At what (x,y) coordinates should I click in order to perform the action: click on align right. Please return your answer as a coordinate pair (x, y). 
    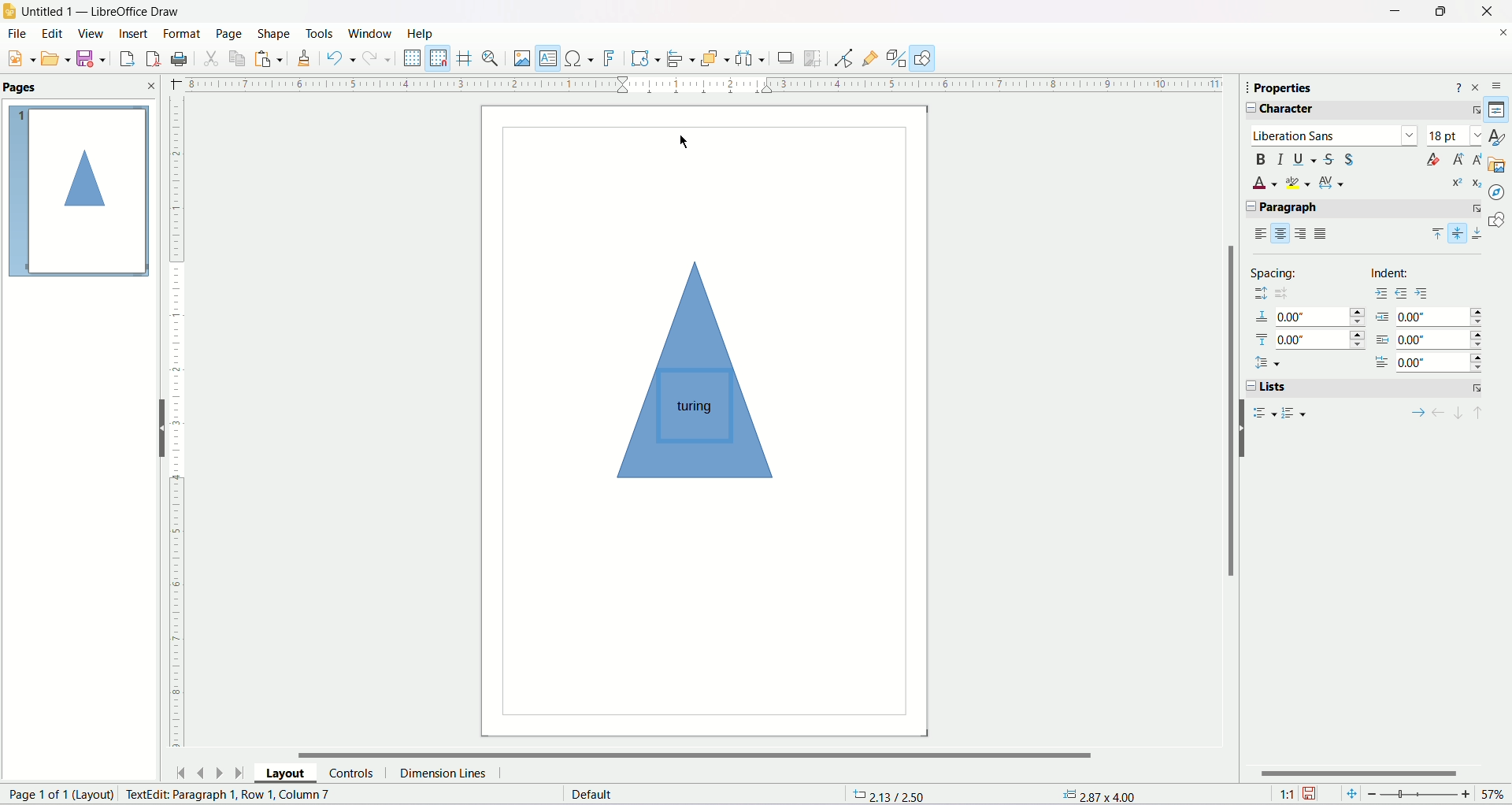
    Looking at the image, I should click on (1303, 233).